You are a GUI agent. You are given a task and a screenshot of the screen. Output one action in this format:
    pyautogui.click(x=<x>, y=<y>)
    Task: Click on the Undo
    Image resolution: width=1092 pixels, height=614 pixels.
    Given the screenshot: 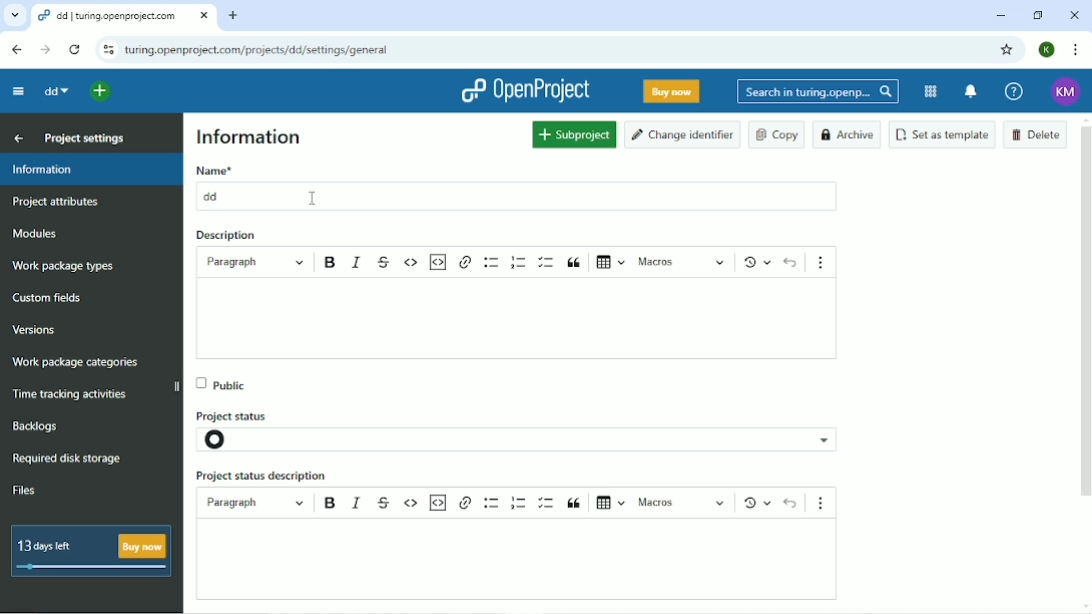 What is the action you would take?
    pyautogui.click(x=791, y=262)
    